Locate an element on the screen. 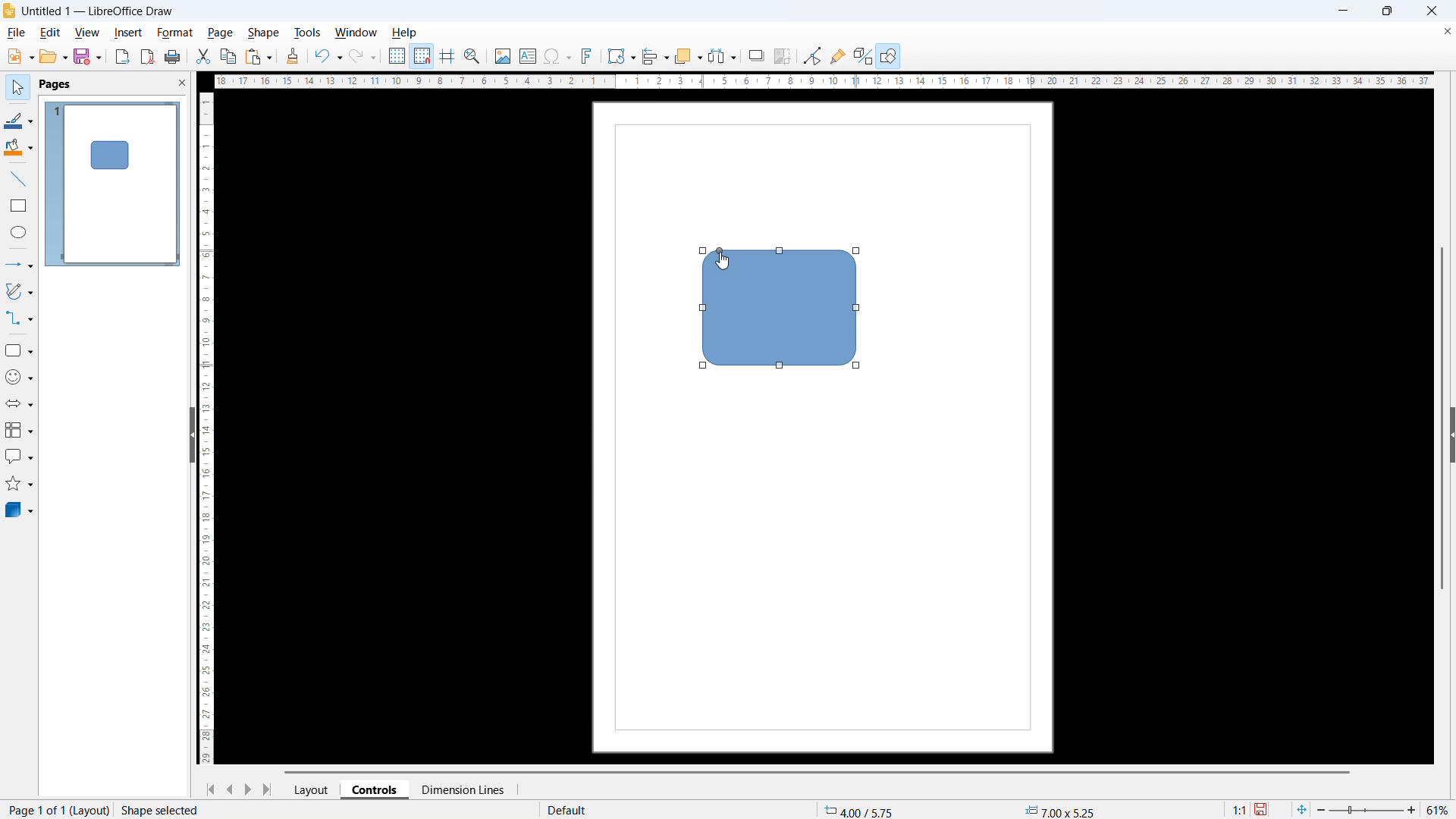 This screenshot has width=1456, height=819. close  is located at coordinates (1431, 11).